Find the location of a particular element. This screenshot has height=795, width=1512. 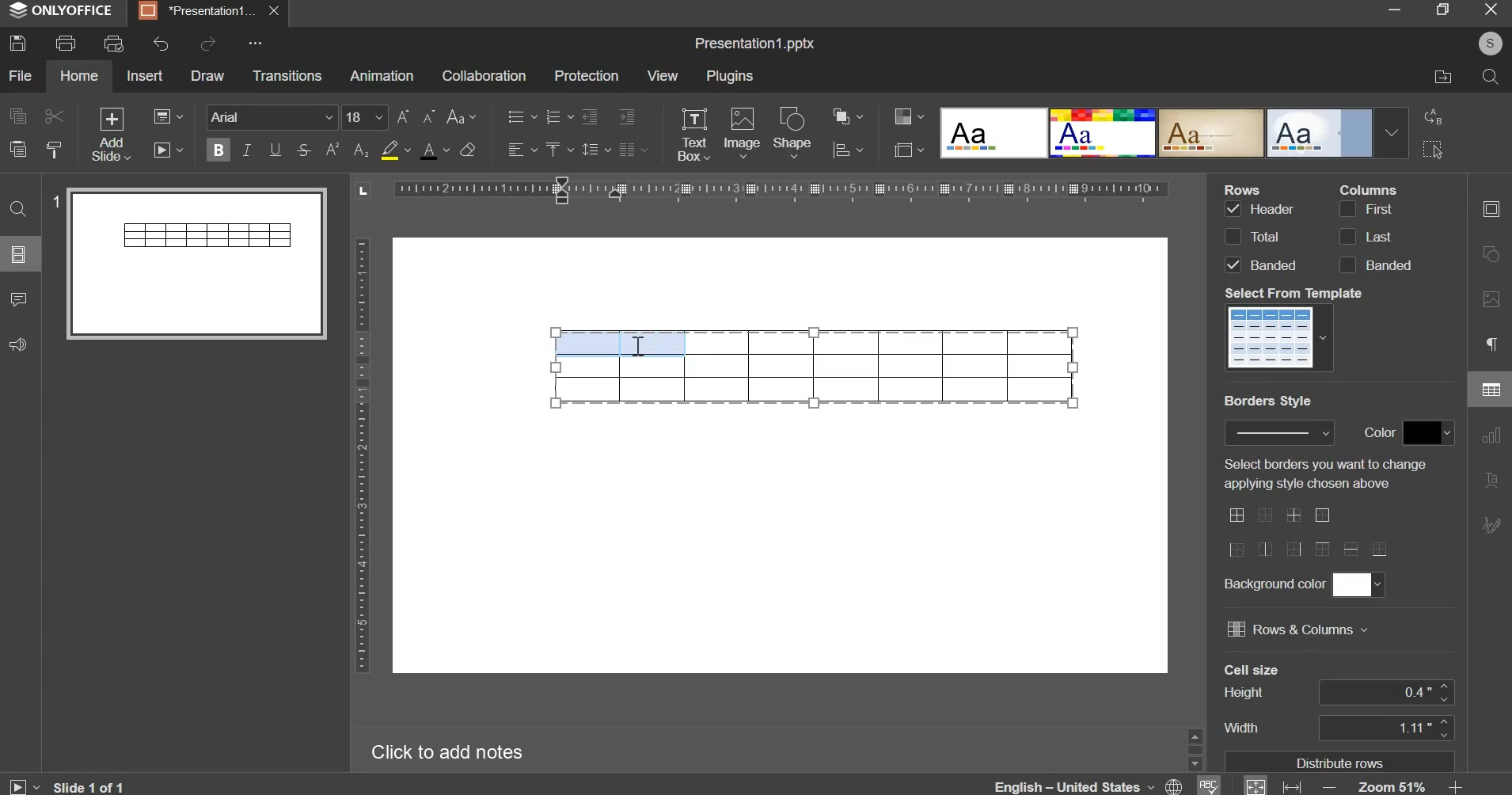

comments is located at coordinates (18, 299).